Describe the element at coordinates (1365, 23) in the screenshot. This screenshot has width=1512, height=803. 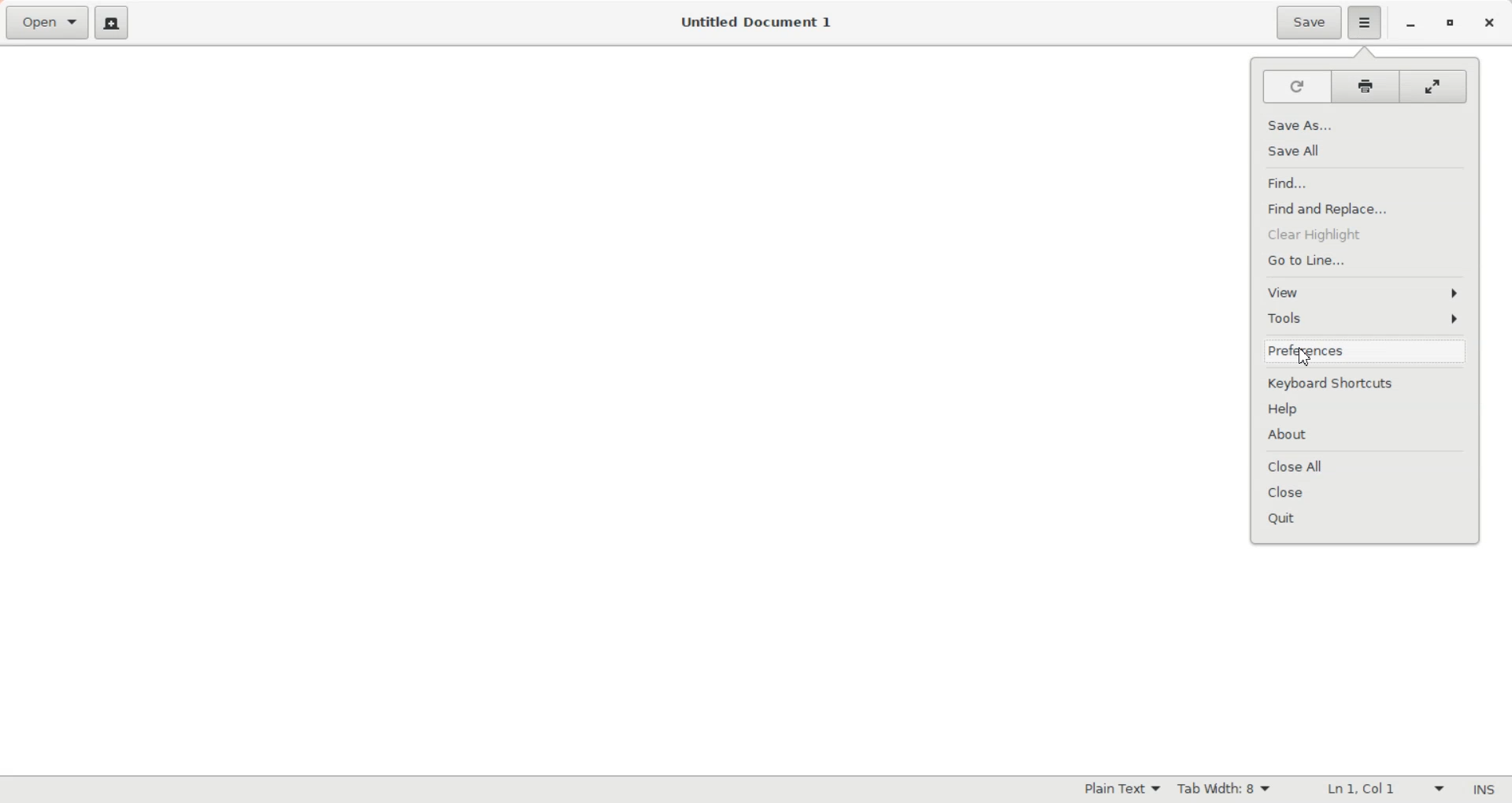
I see `Hamburger settings` at that location.